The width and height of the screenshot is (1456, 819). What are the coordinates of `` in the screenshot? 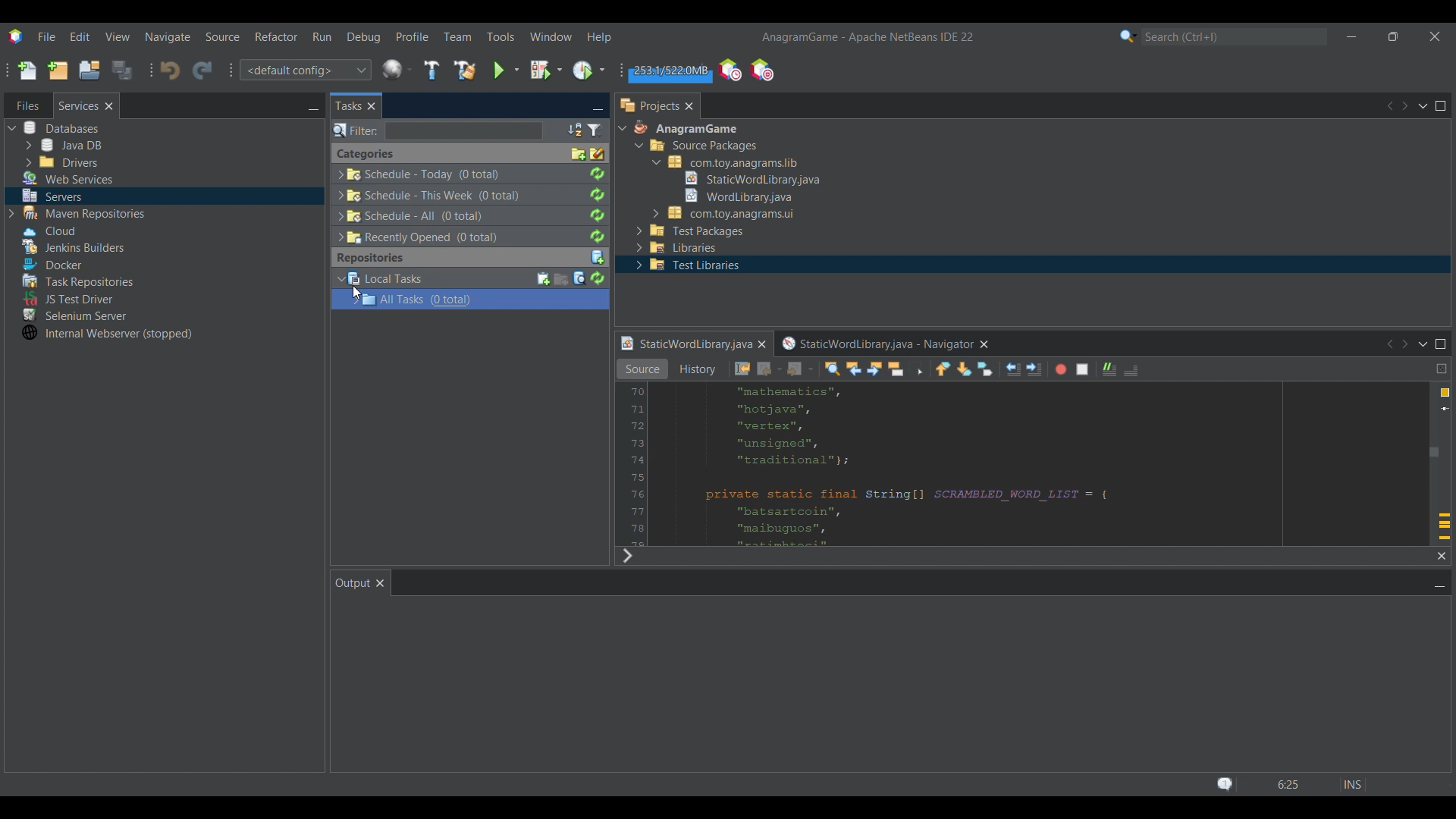 It's located at (51, 264).